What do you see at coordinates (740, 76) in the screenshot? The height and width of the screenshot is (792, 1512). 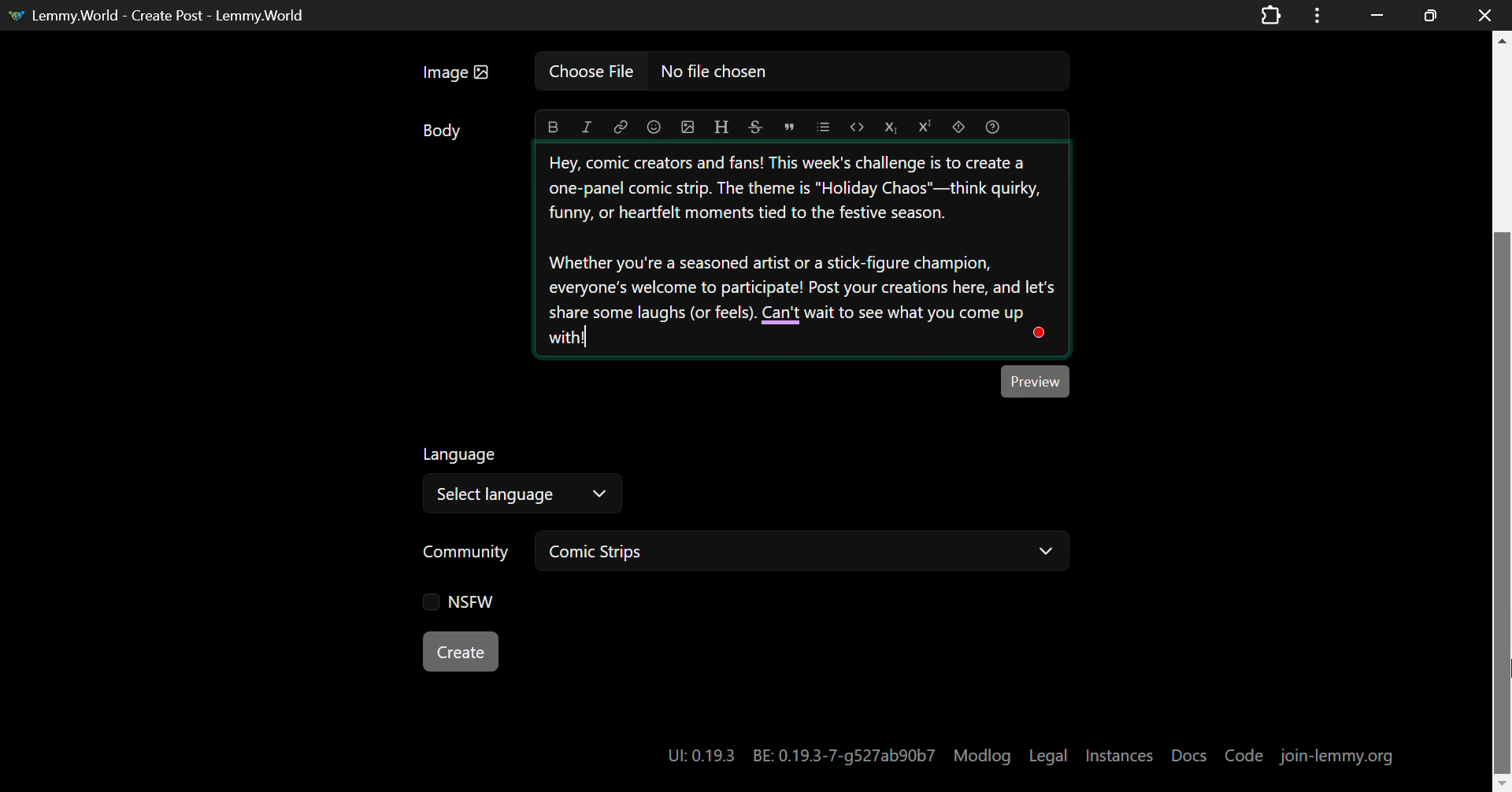 I see `Image: No file chosen` at bounding box center [740, 76].